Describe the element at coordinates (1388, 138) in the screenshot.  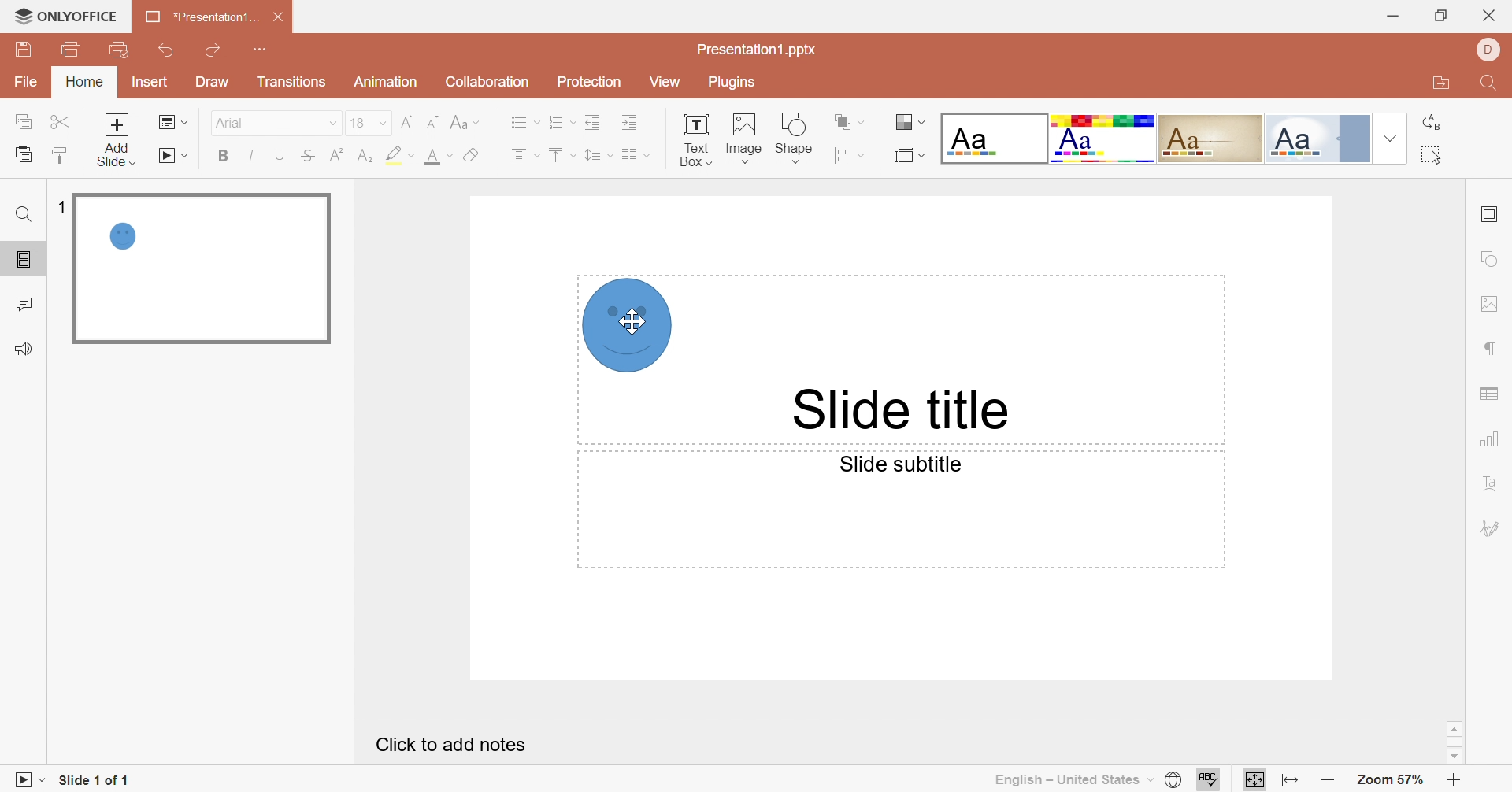
I see `Drop Down` at that location.